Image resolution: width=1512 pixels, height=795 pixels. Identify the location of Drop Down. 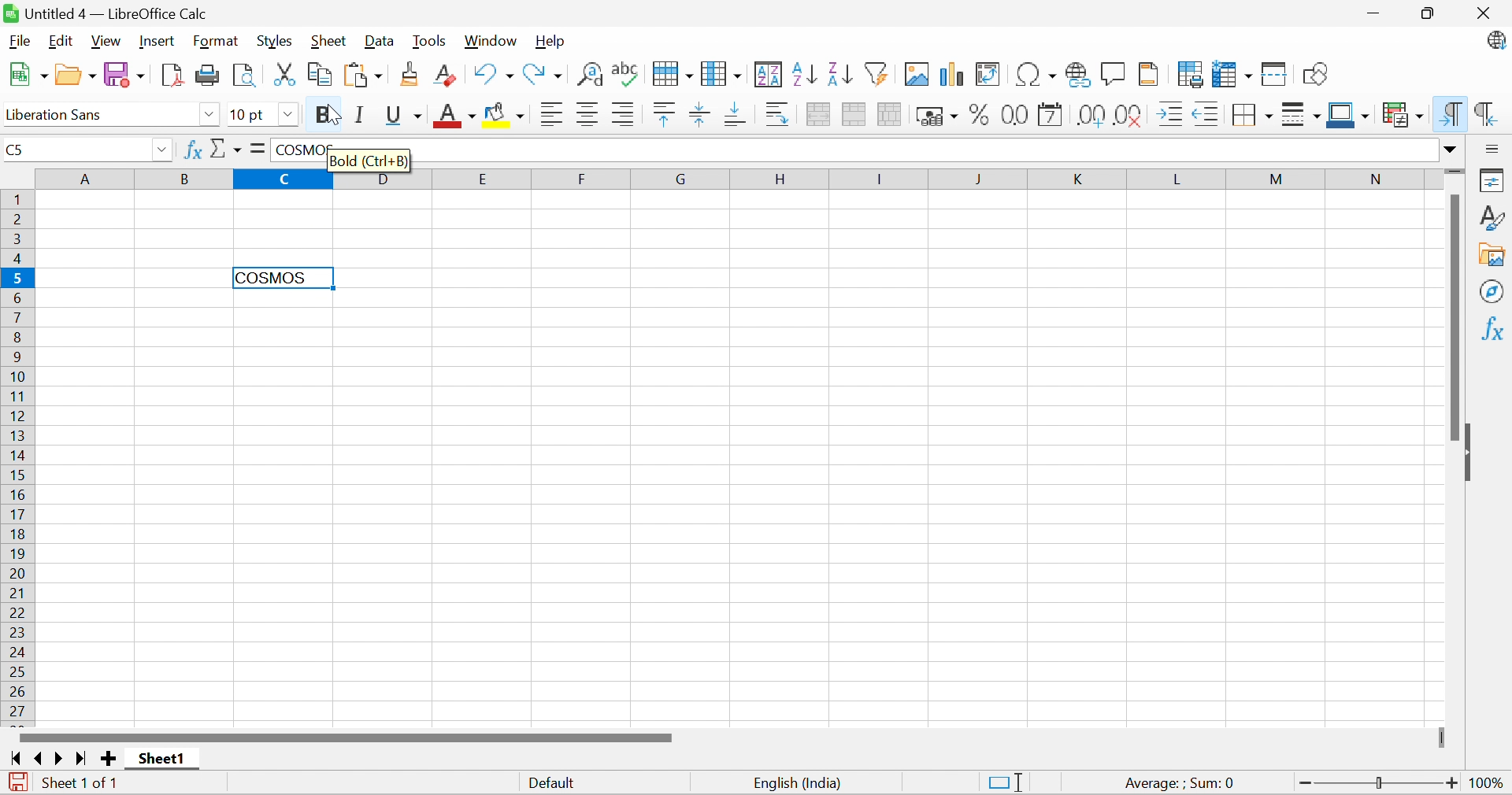
(164, 150).